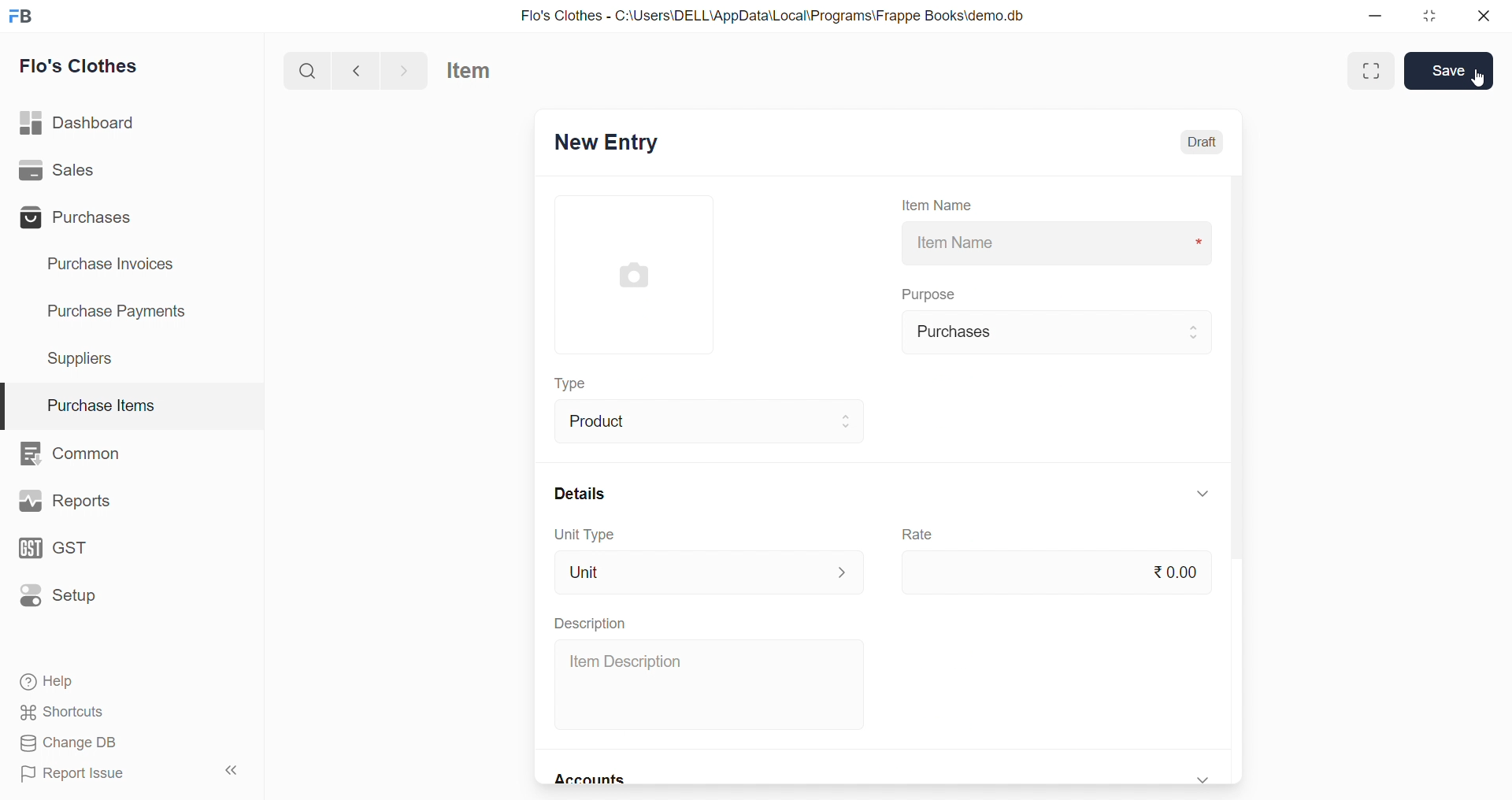 The image size is (1512, 800). Describe the element at coordinates (1204, 142) in the screenshot. I see `Draft` at that location.